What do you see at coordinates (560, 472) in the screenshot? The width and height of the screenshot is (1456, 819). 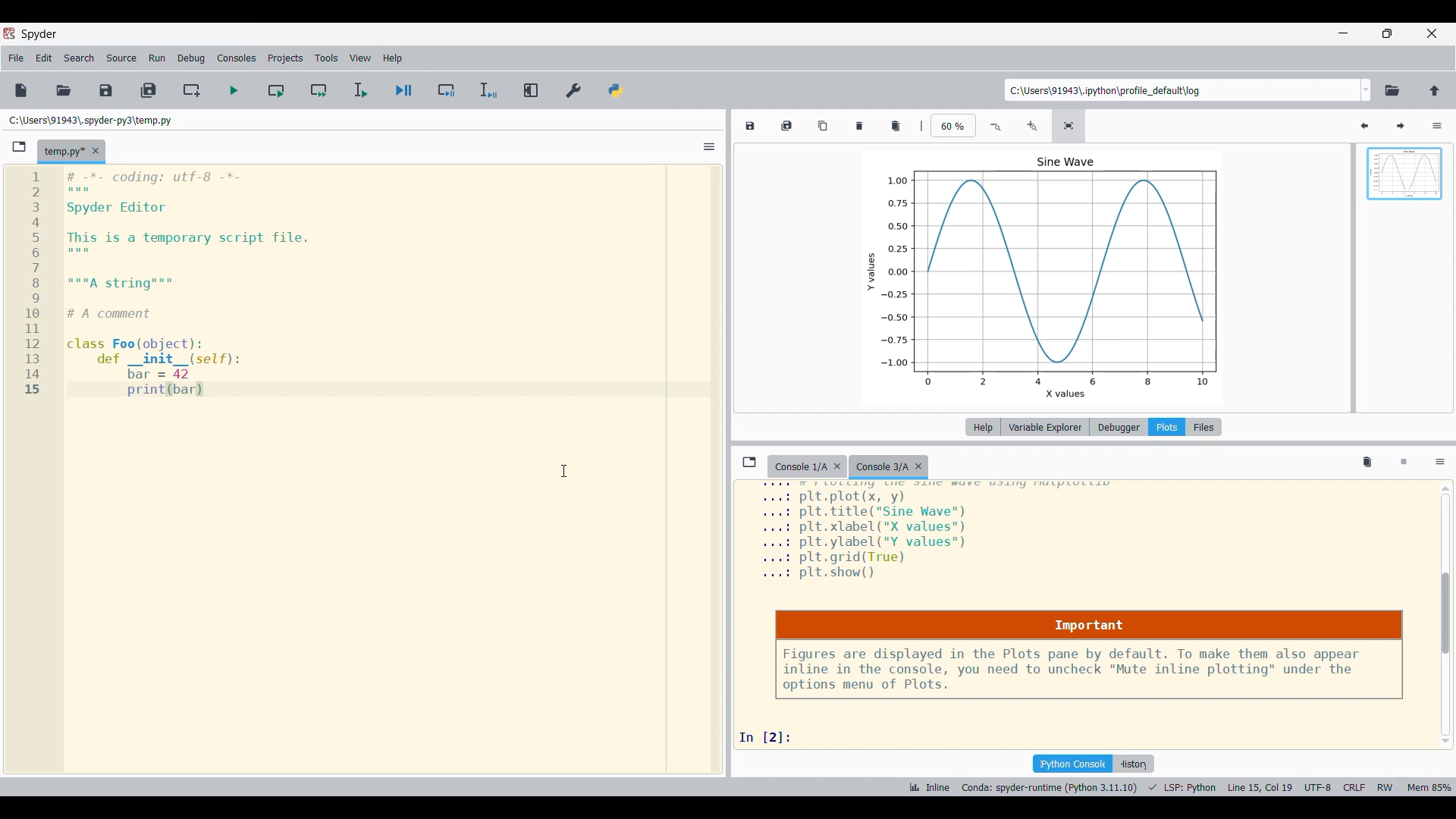 I see `cursor` at bounding box center [560, 472].